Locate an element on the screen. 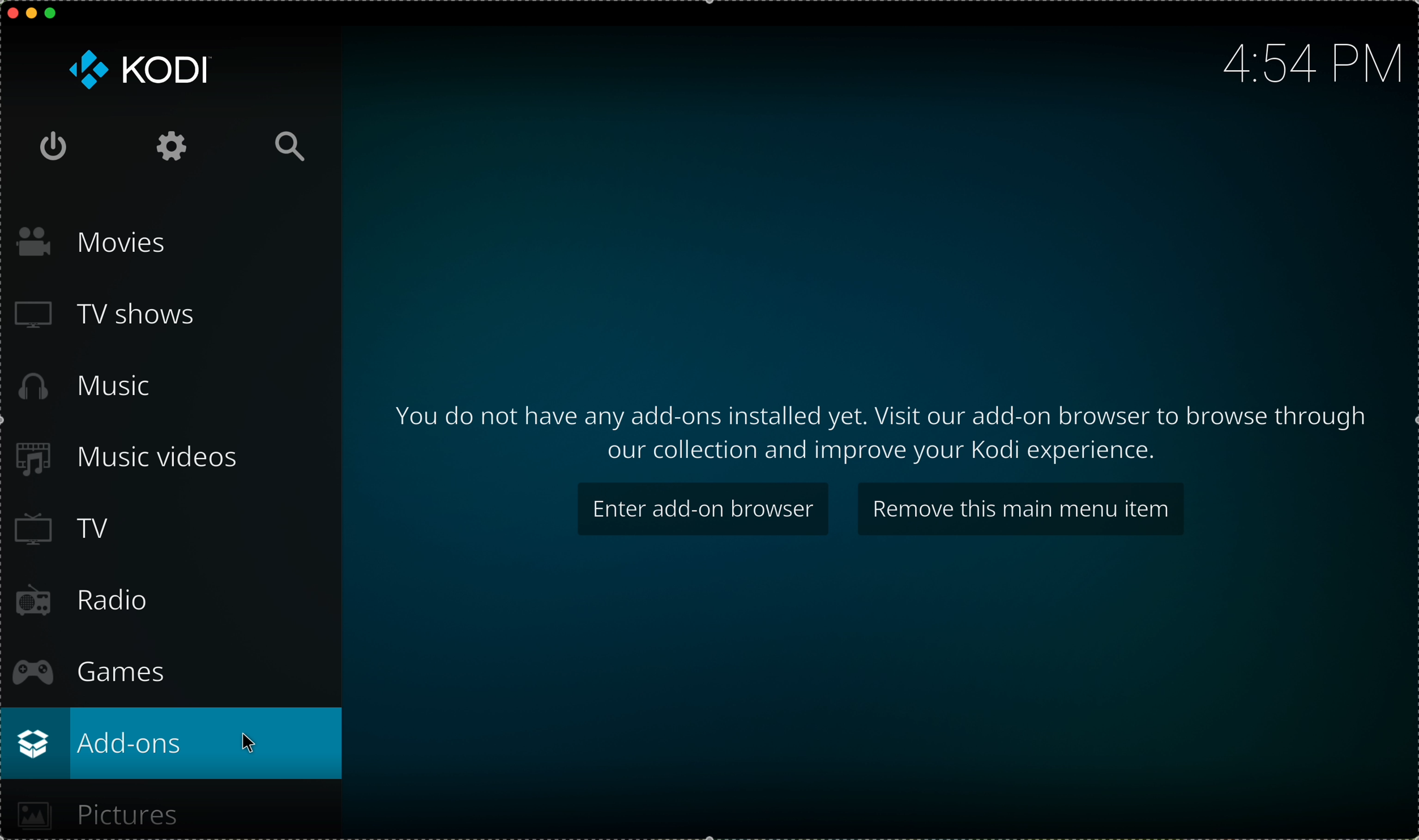 The image size is (1419, 840). movies is located at coordinates (95, 243).